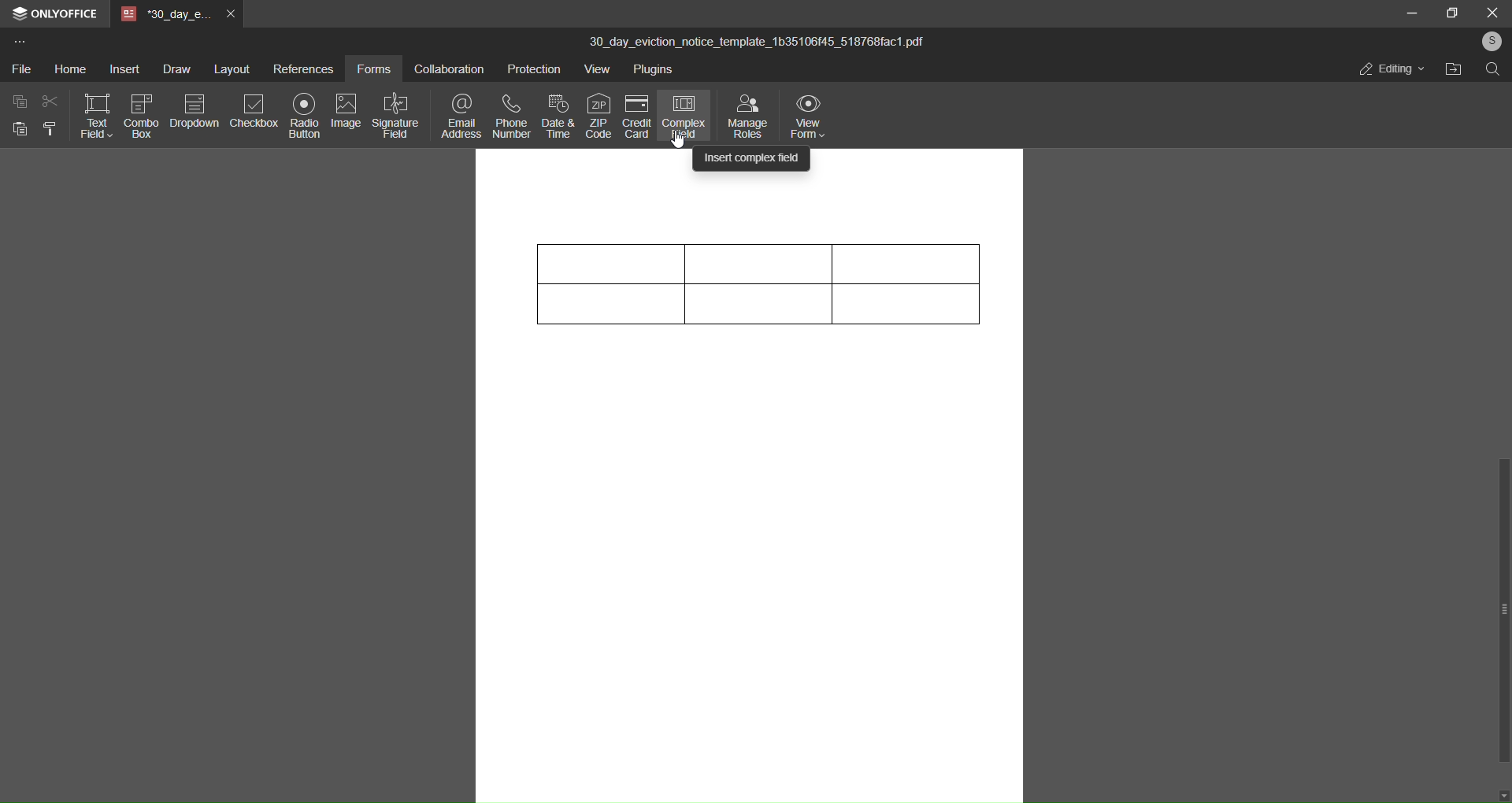  What do you see at coordinates (302, 114) in the screenshot?
I see `radio button` at bounding box center [302, 114].